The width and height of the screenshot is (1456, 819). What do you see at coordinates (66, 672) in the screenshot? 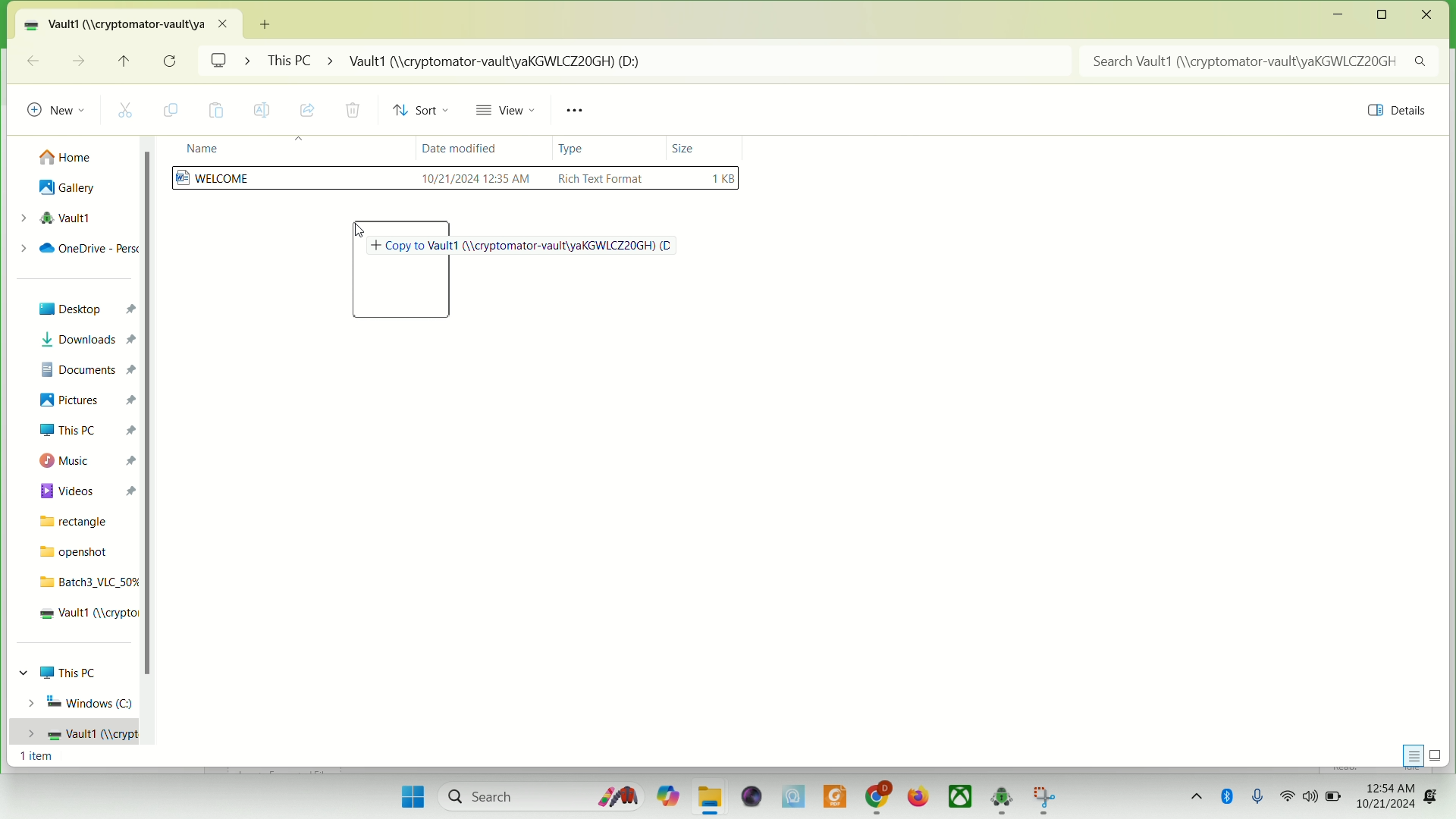
I see `This PC` at bounding box center [66, 672].